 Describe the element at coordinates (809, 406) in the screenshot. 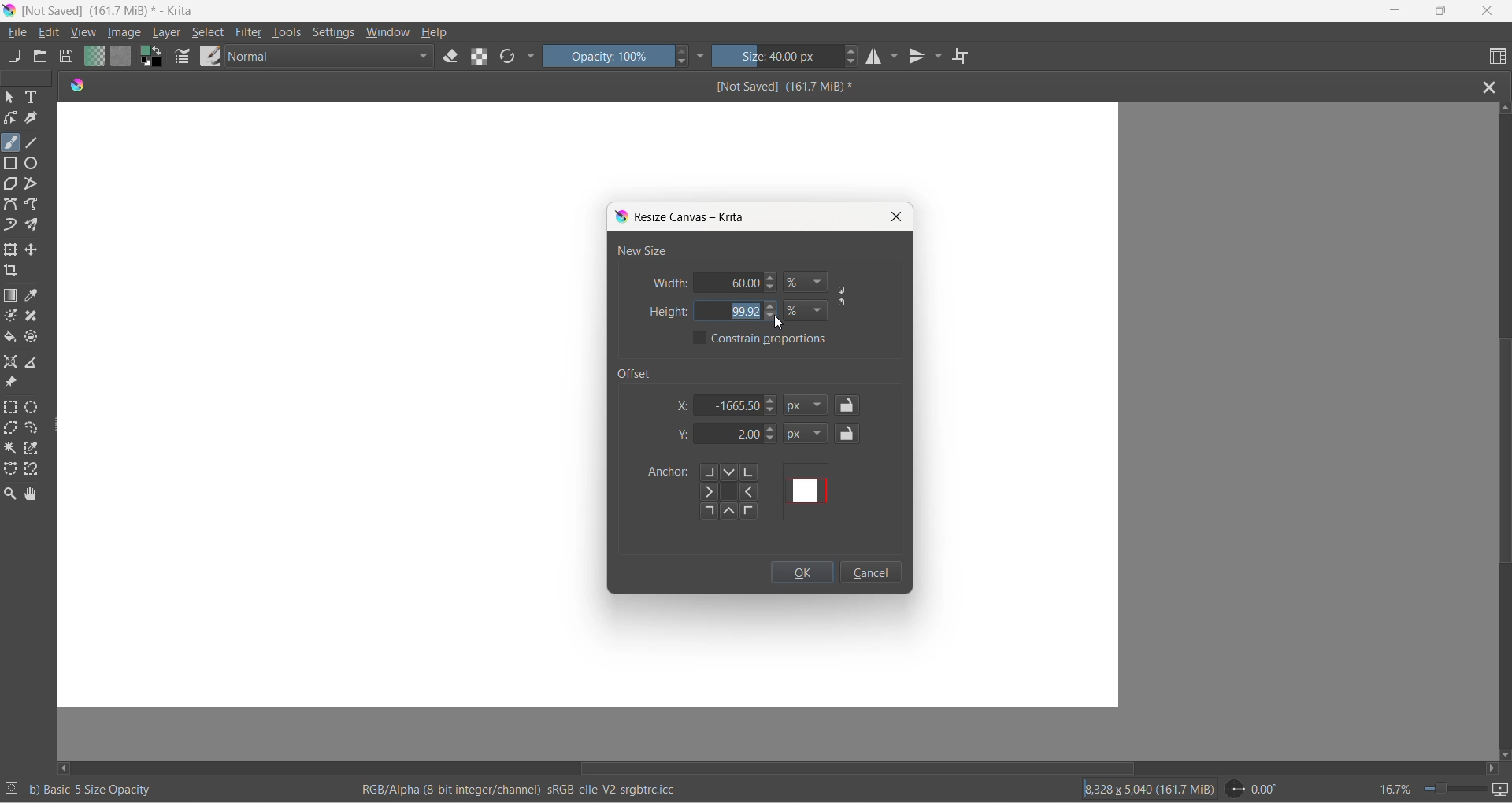

I see `x-axis value type` at that location.